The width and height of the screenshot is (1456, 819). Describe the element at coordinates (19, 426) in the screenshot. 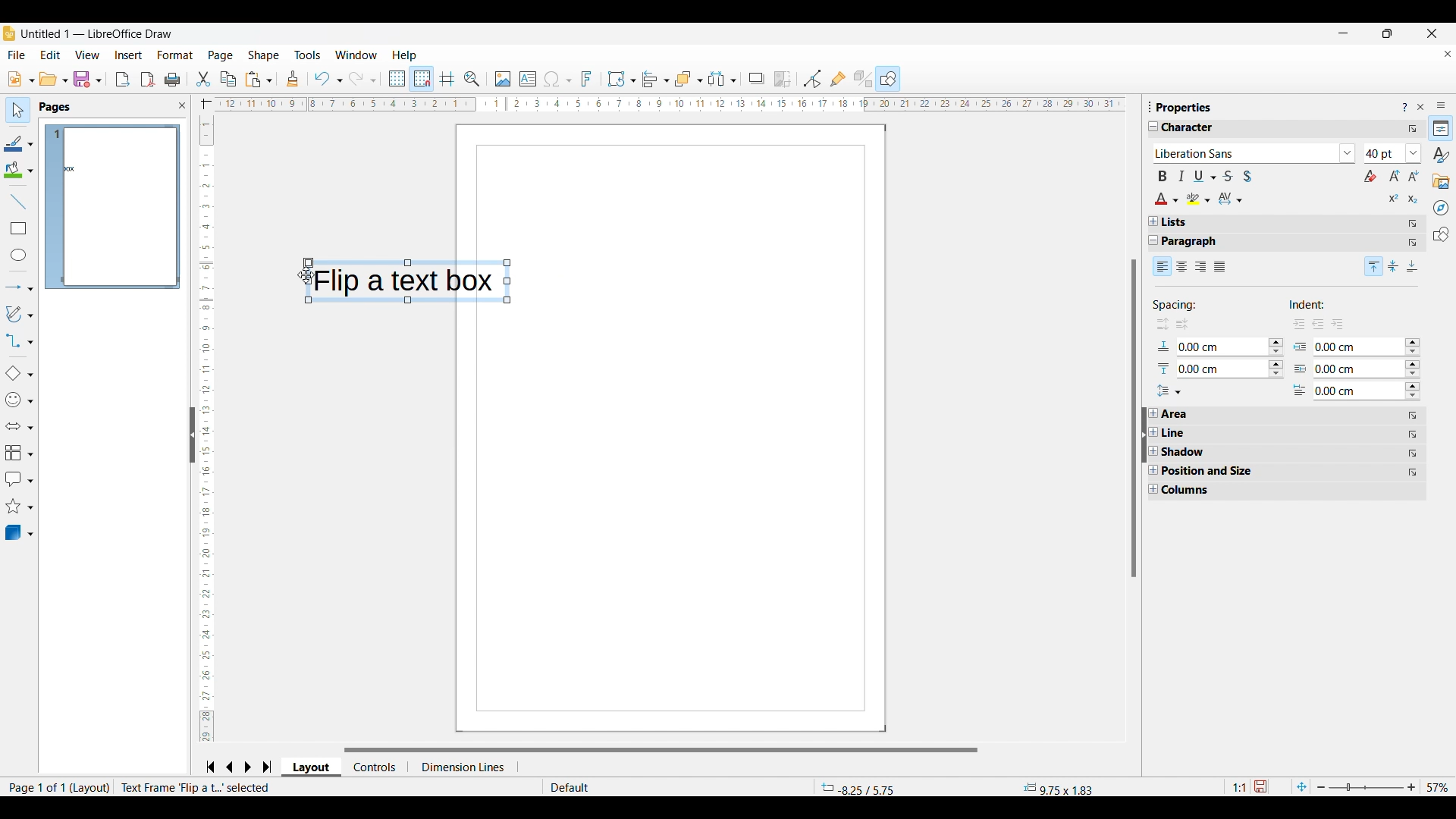

I see `Block arrow options` at that location.